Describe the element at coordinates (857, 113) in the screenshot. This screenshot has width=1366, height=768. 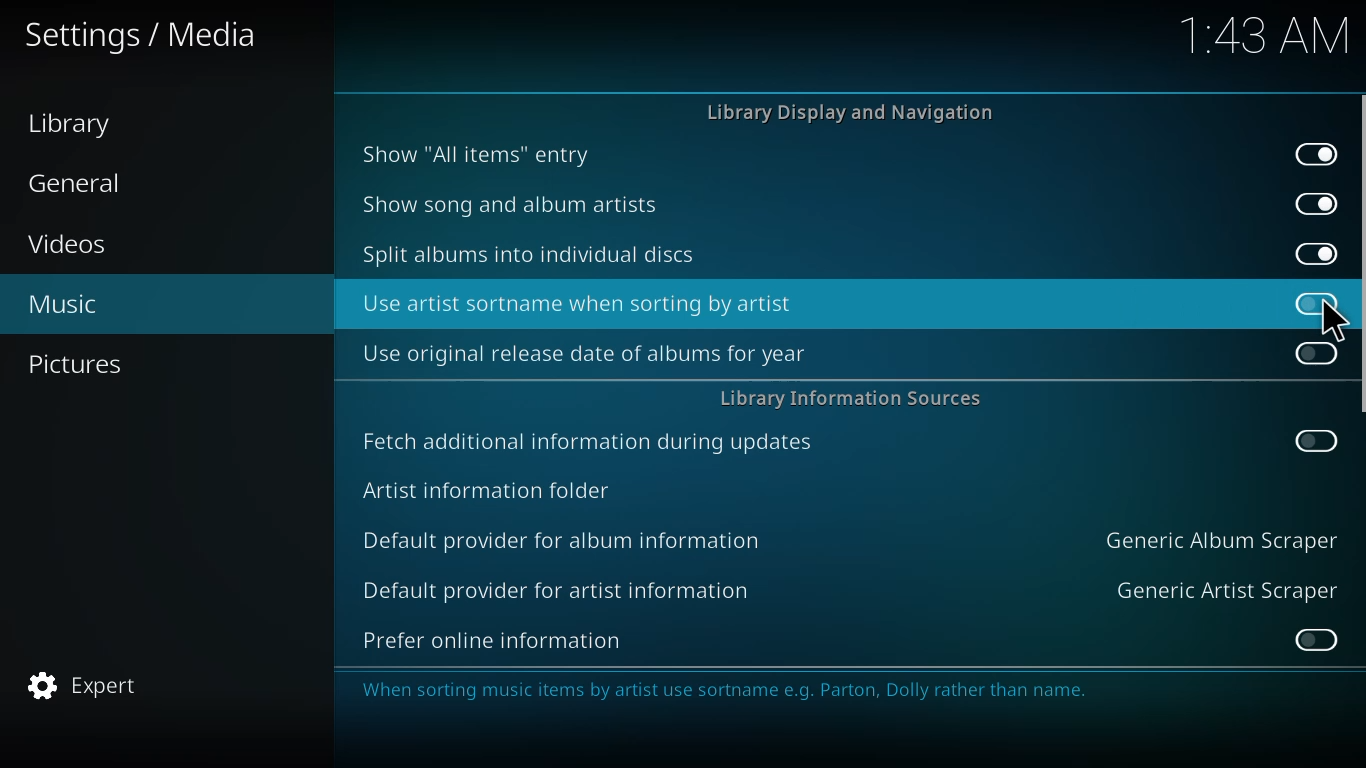
I see `library display ` at that location.